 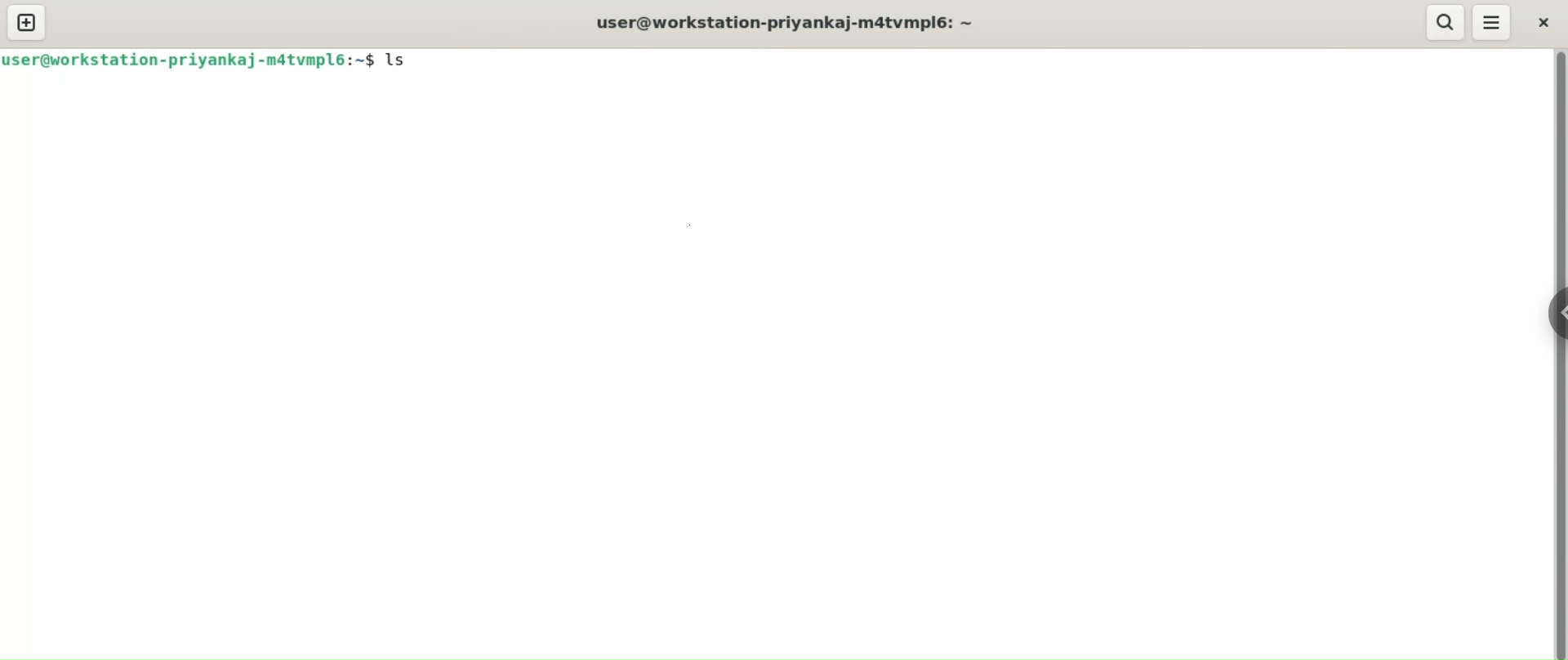 I want to click on search, so click(x=1448, y=21).